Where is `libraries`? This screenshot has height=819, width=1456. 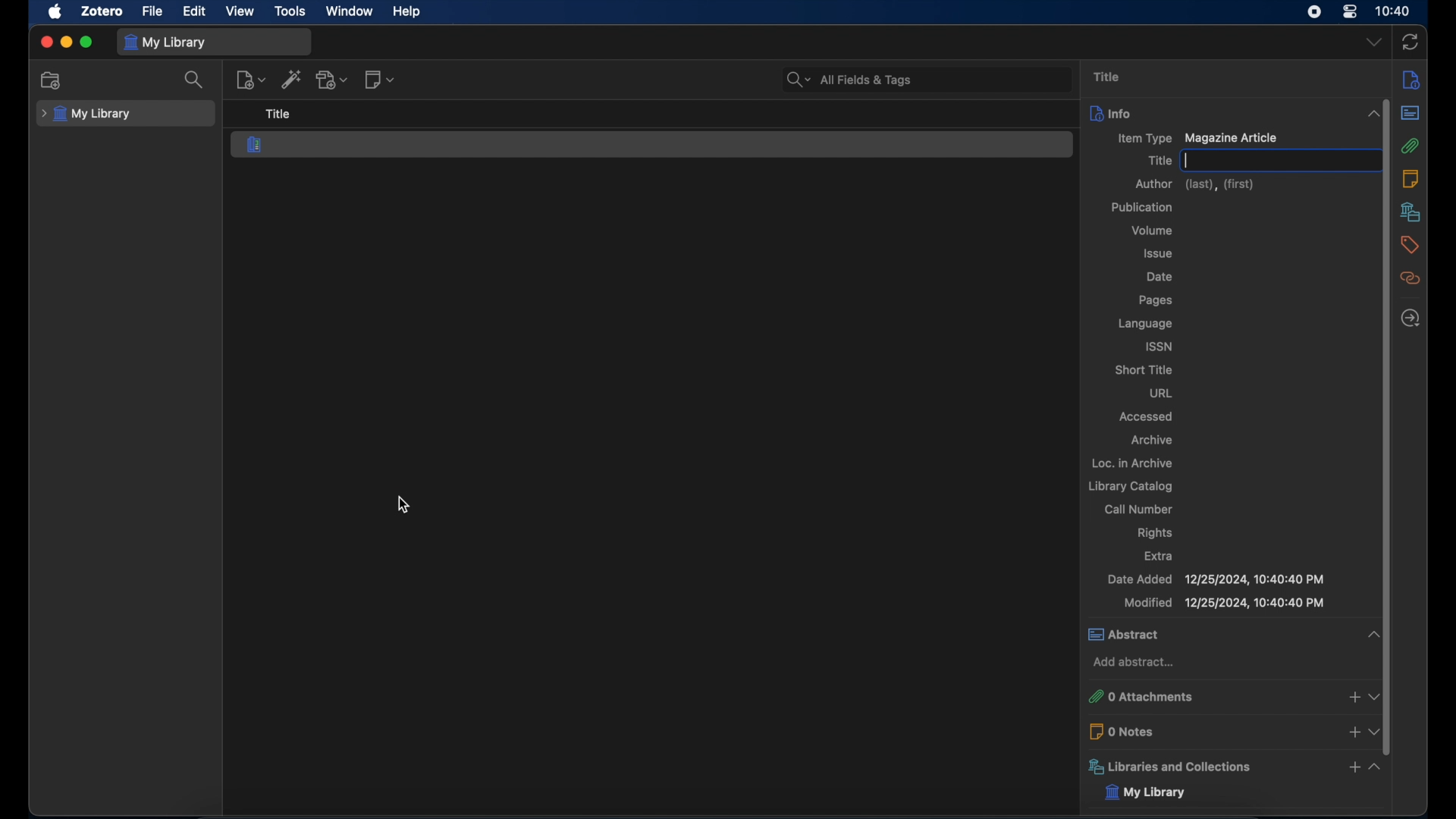 libraries is located at coordinates (1410, 212).